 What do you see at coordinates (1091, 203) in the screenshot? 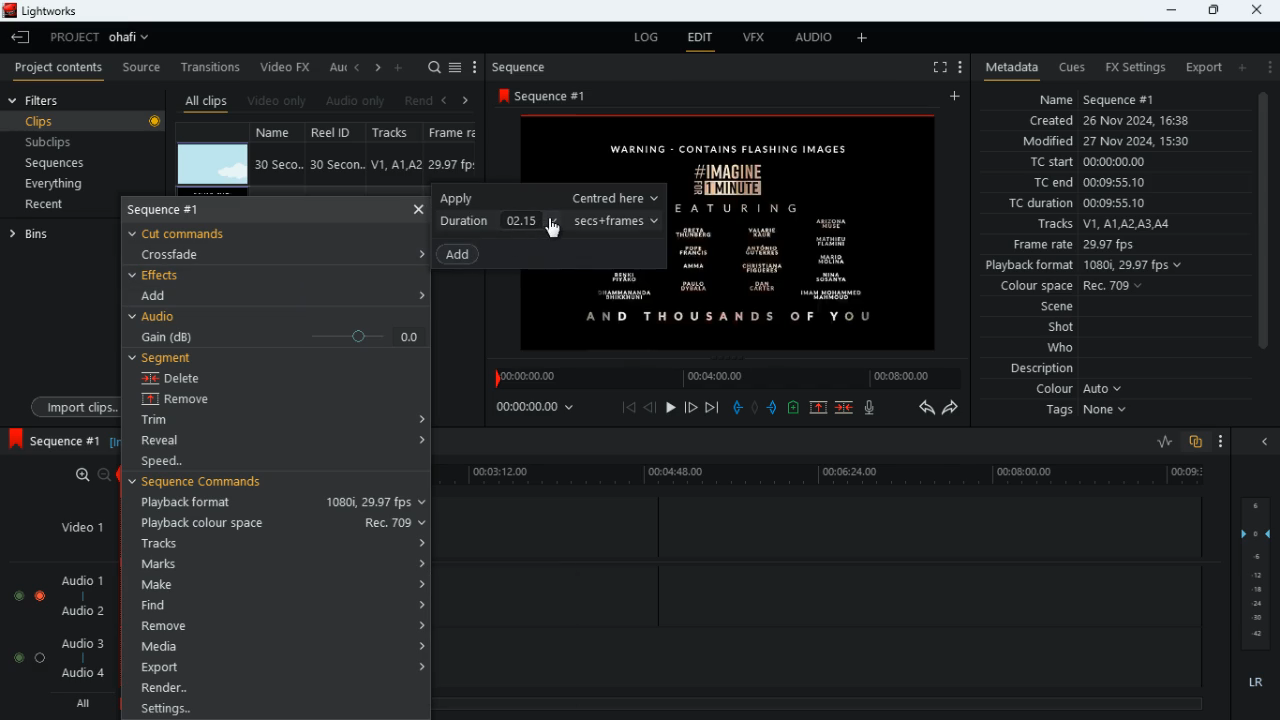
I see `tc duration` at bounding box center [1091, 203].